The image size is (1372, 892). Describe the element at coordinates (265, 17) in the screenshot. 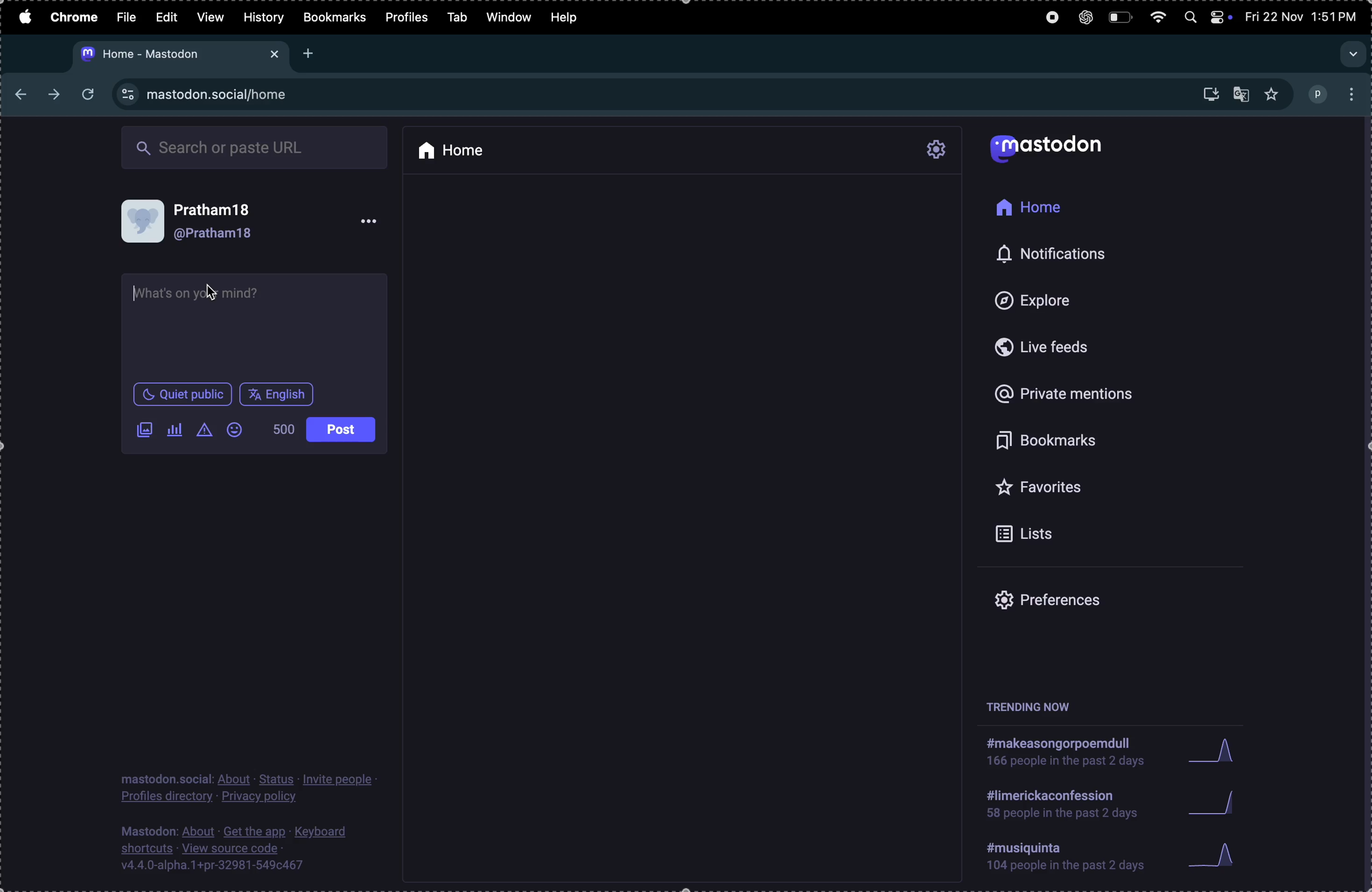

I see `history` at that location.